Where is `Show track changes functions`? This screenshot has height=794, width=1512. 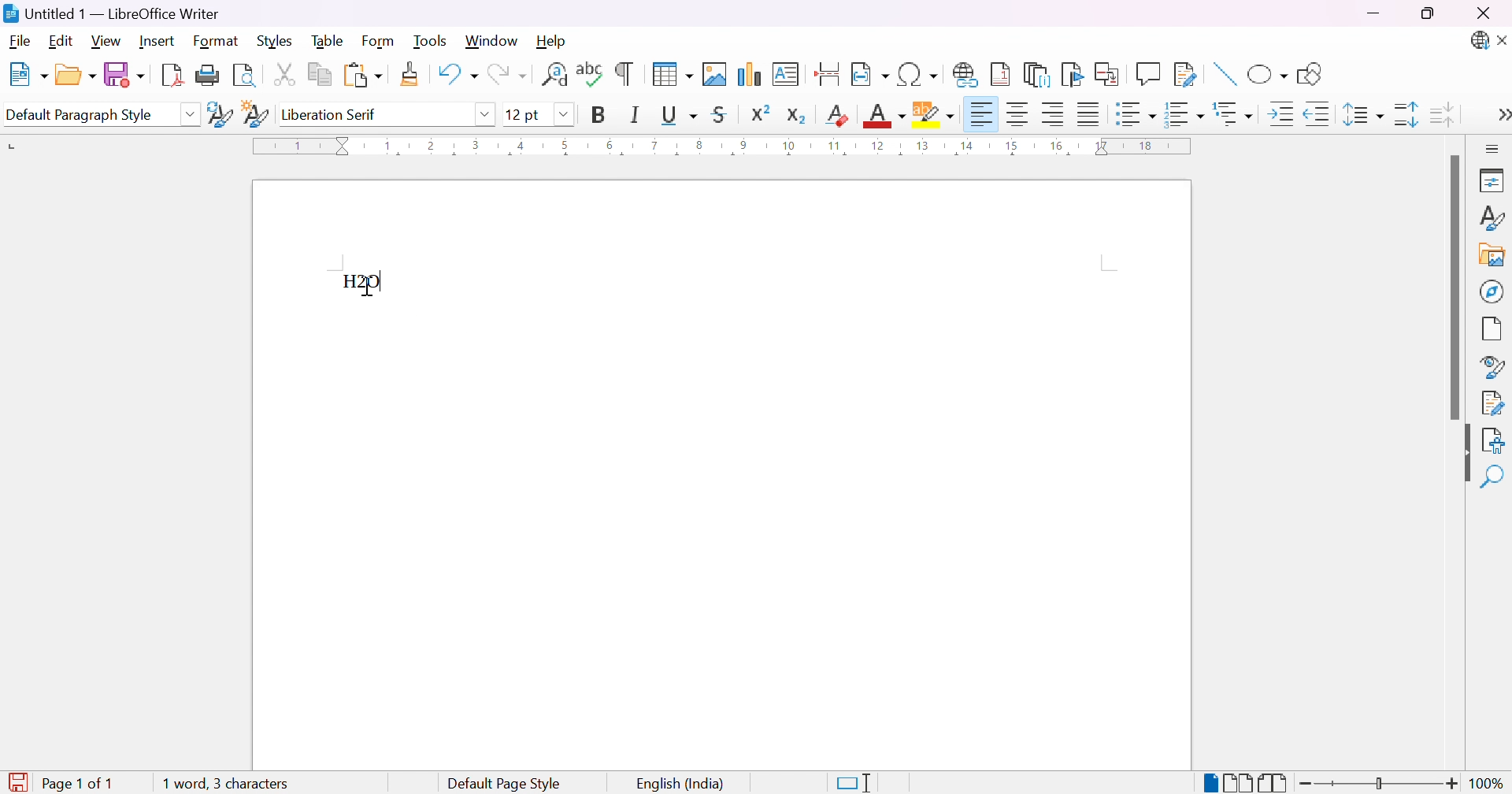 Show track changes functions is located at coordinates (1185, 75).